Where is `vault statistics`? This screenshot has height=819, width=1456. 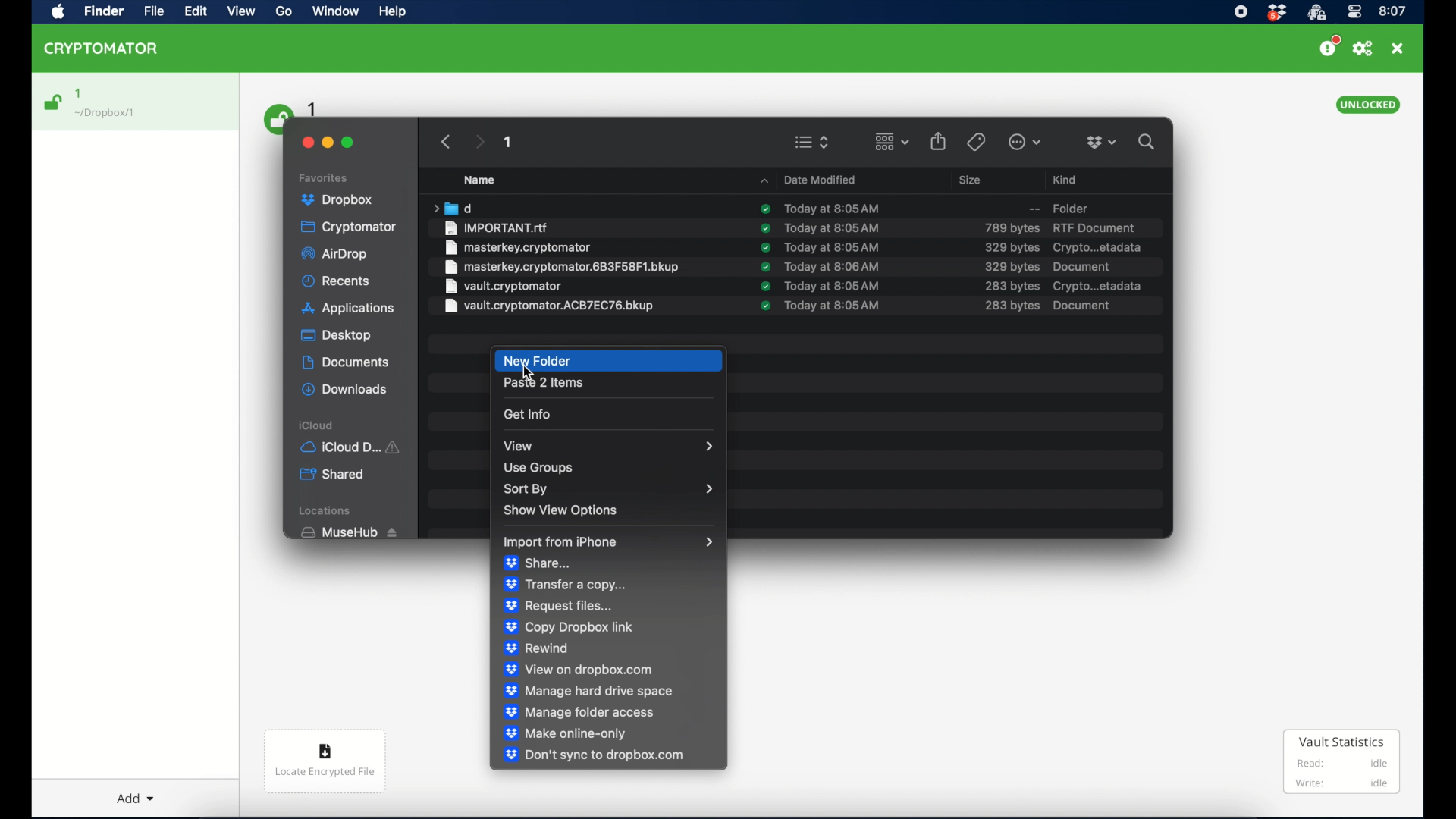 vault statistics is located at coordinates (1341, 763).